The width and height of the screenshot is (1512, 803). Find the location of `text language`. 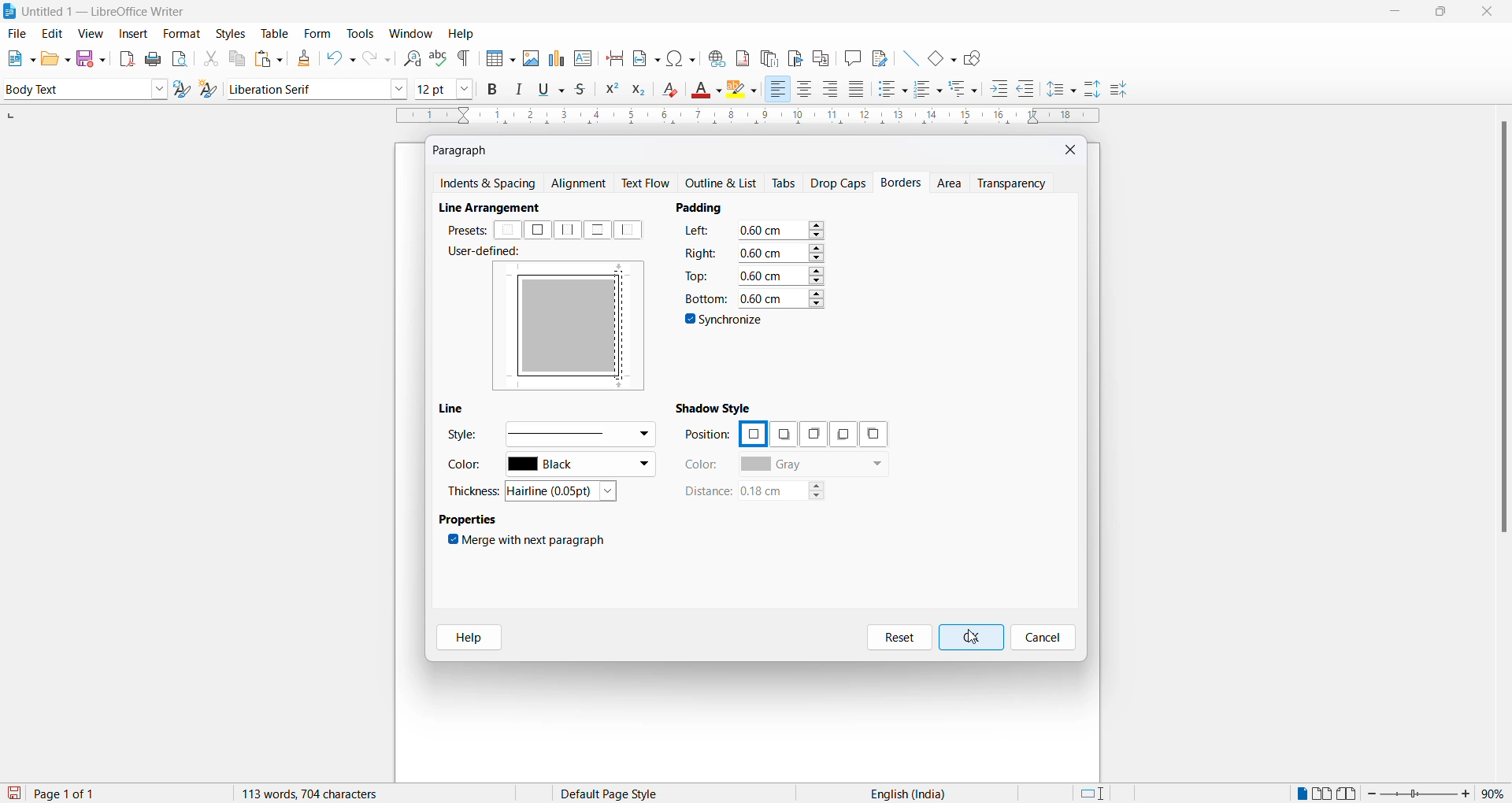

text language is located at coordinates (902, 794).